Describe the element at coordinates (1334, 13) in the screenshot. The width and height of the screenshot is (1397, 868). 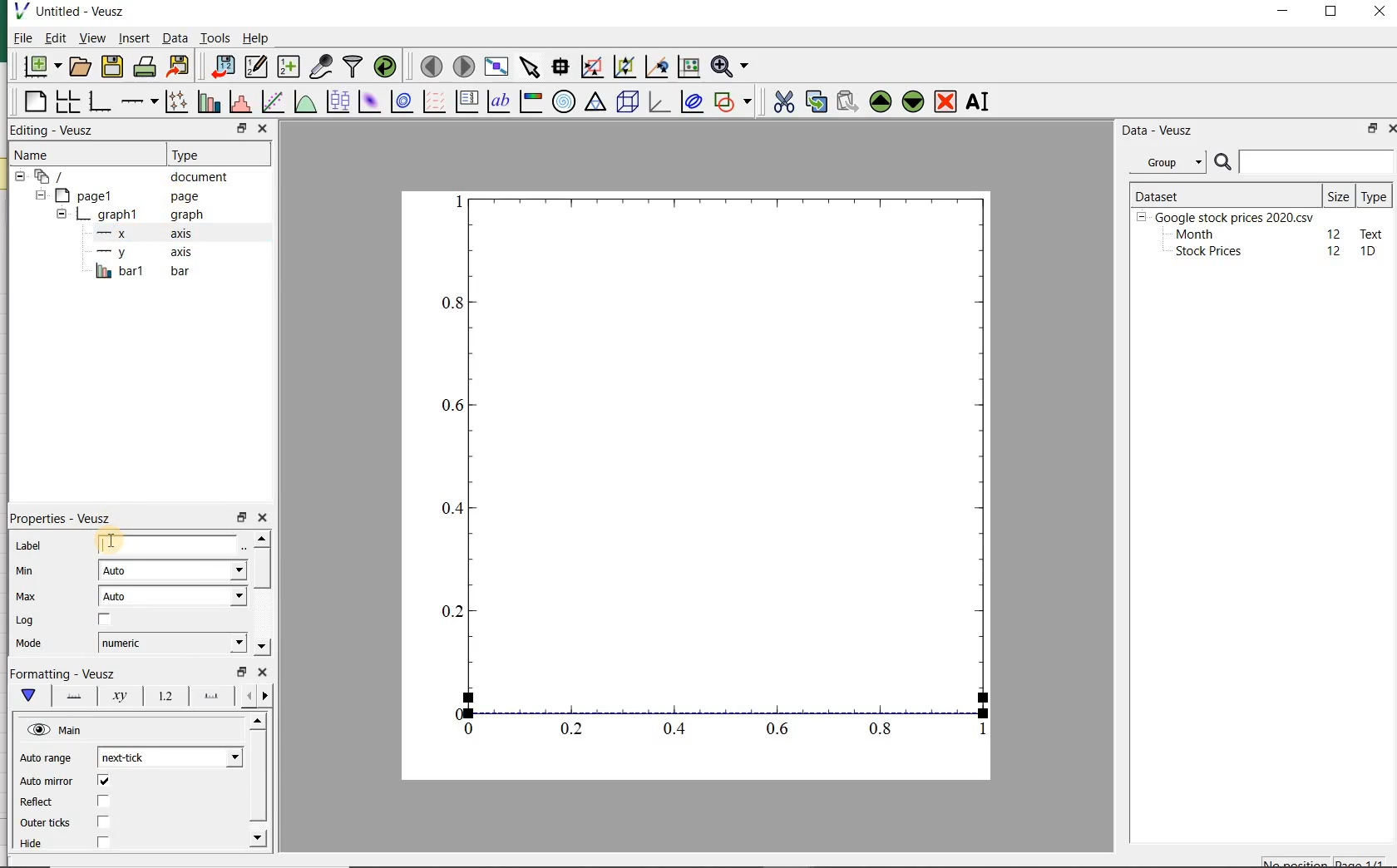
I see `maximize` at that location.